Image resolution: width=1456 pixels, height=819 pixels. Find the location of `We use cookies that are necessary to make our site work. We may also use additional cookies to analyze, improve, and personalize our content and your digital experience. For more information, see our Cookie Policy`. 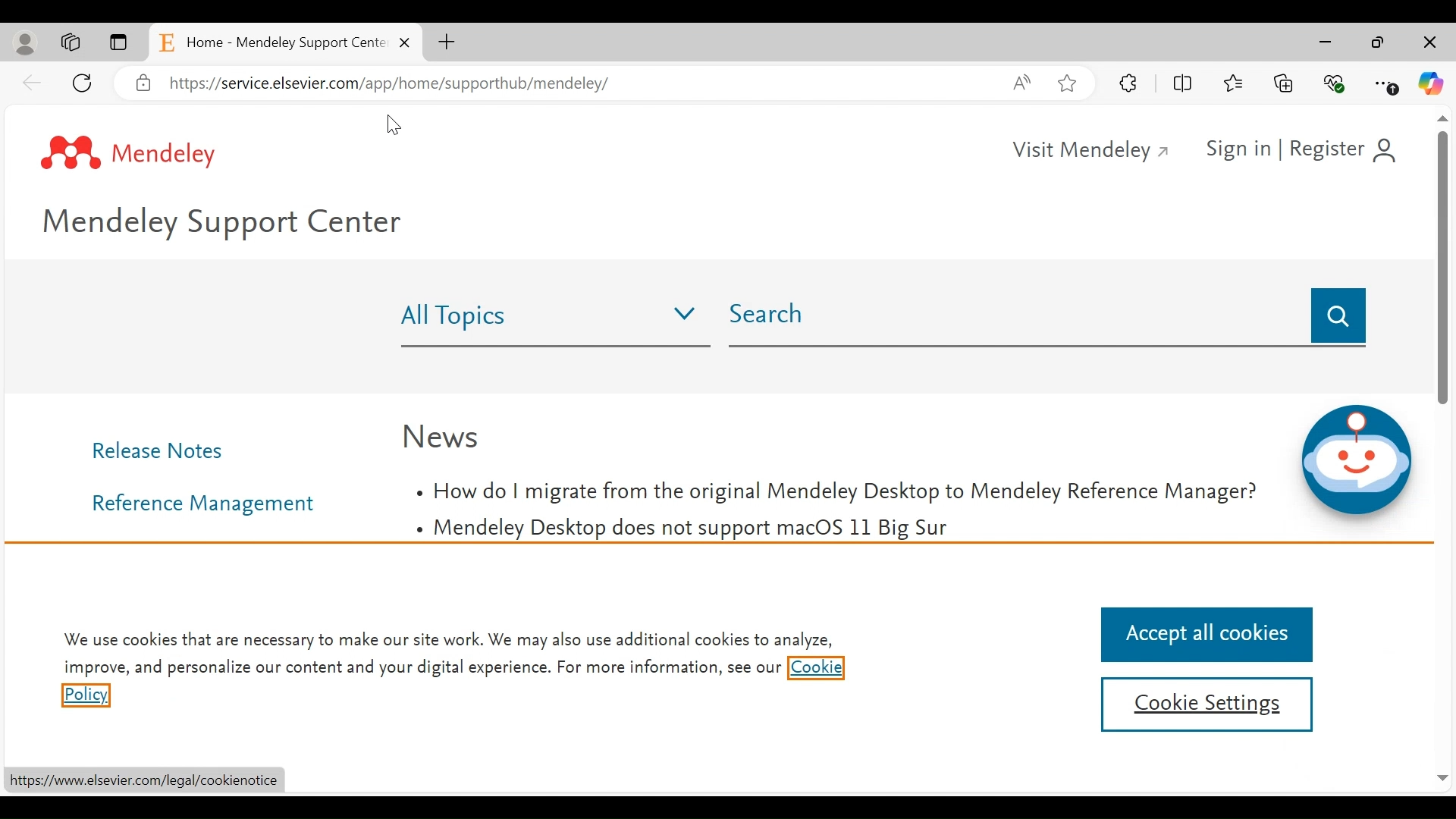

We use cookies that are necessary to make our site work. We may also use additional cookies to analyze, improve, and personalize our content and your digital experience. For more information, see our Cookie Policy is located at coordinates (448, 641).